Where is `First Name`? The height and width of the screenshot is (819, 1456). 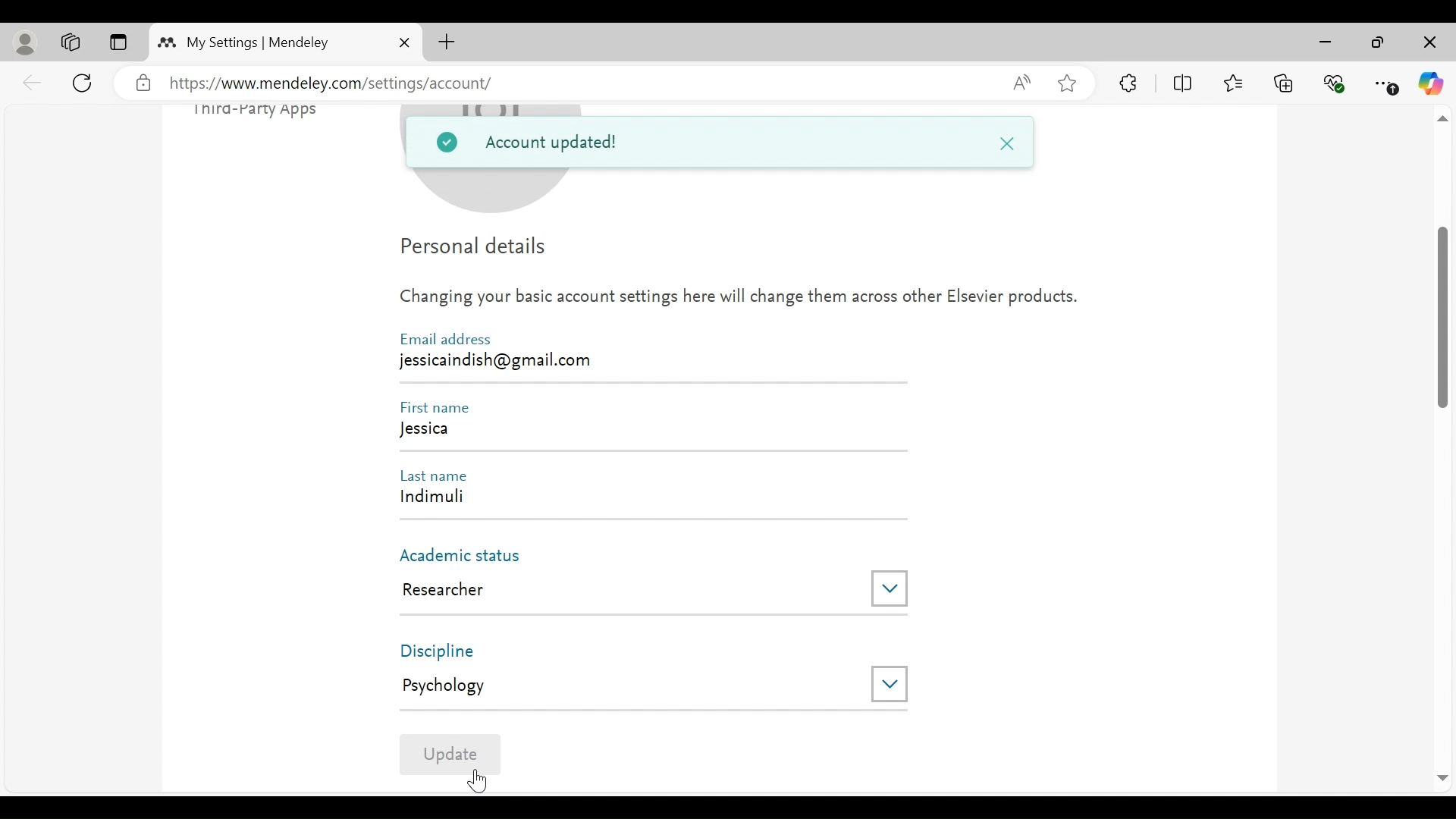 First Name is located at coordinates (440, 407).